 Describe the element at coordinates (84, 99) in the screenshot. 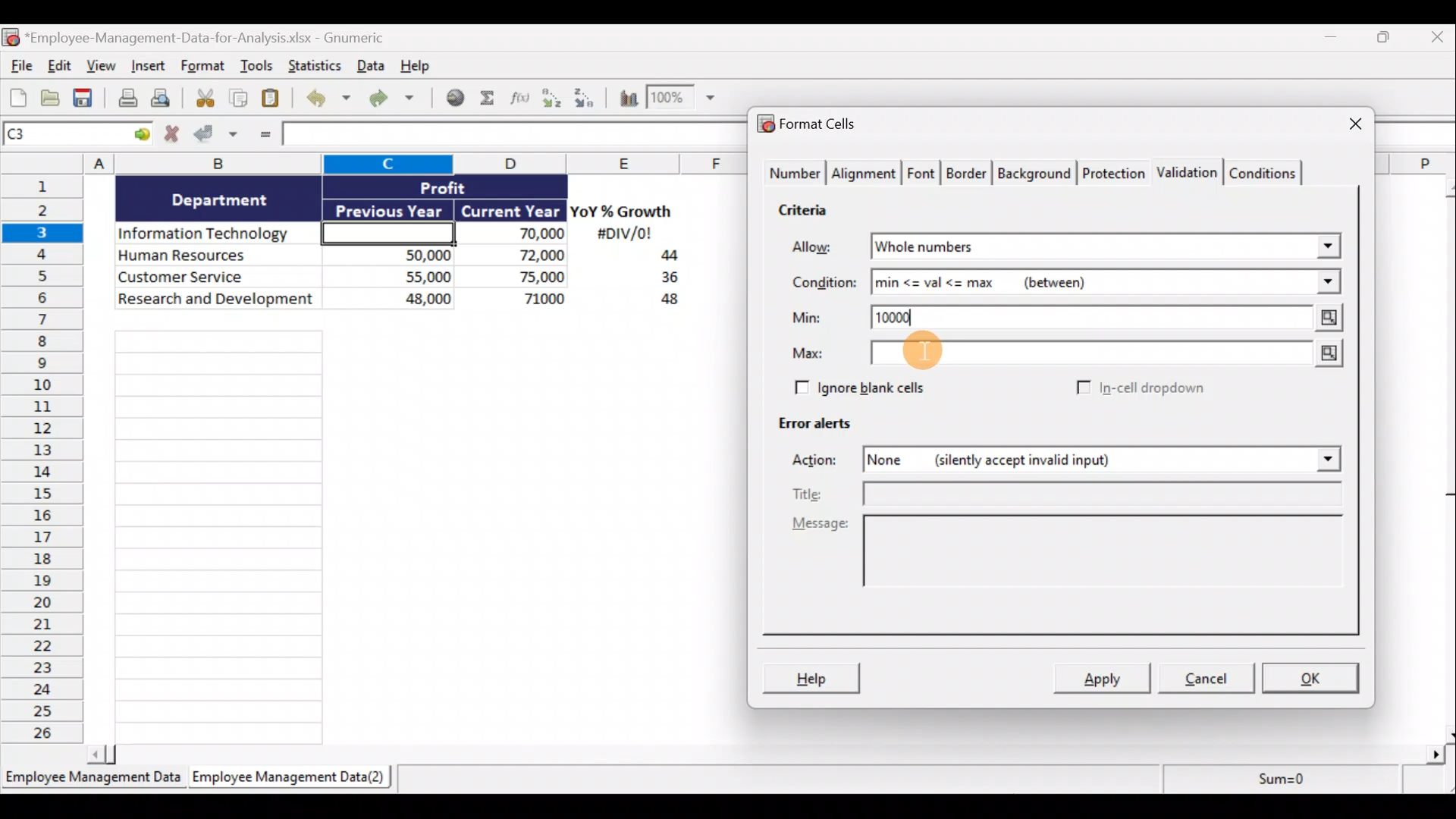

I see `Save current workbook` at that location.